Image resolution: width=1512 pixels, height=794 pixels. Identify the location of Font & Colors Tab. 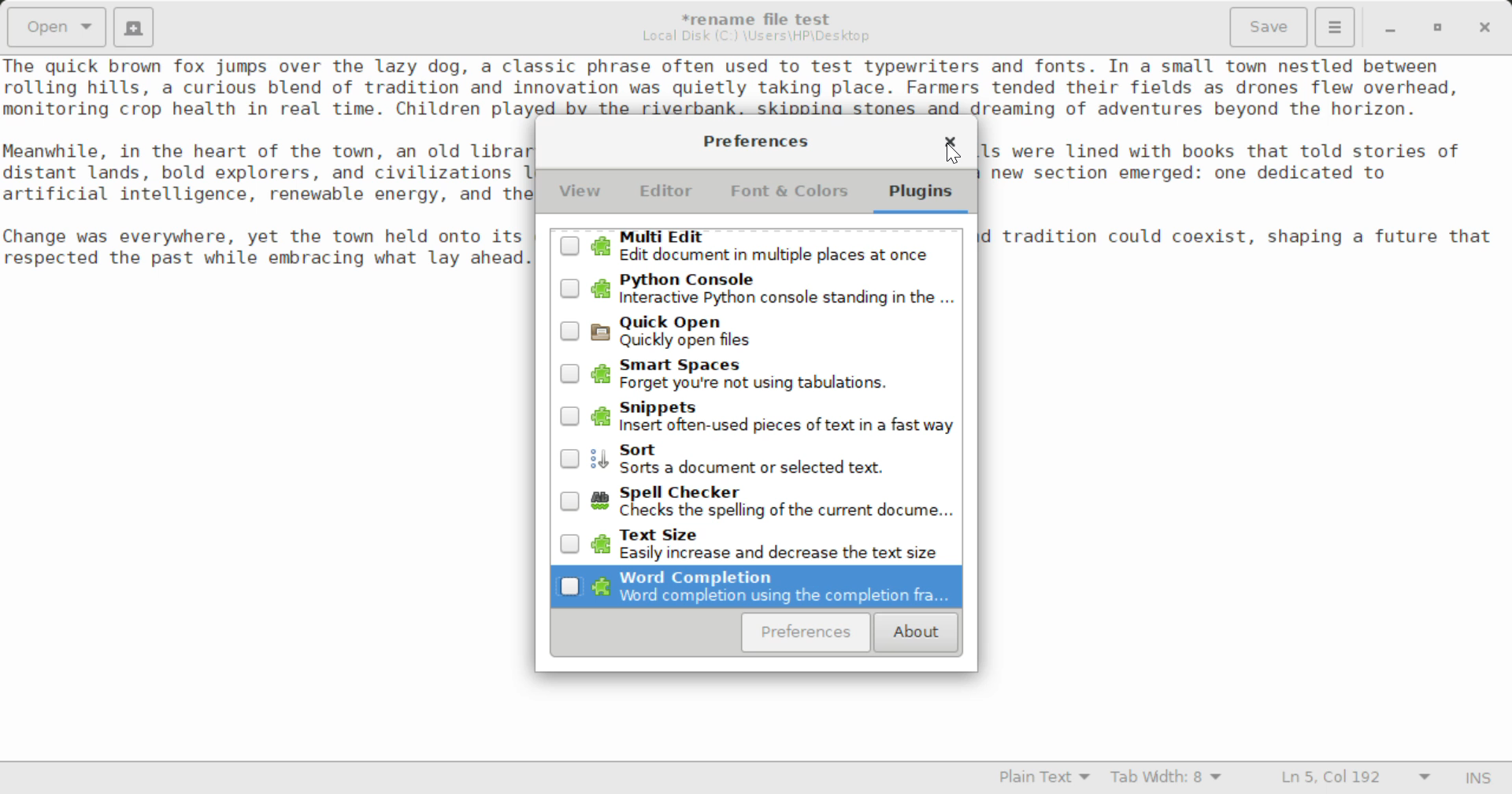
(789, 197).